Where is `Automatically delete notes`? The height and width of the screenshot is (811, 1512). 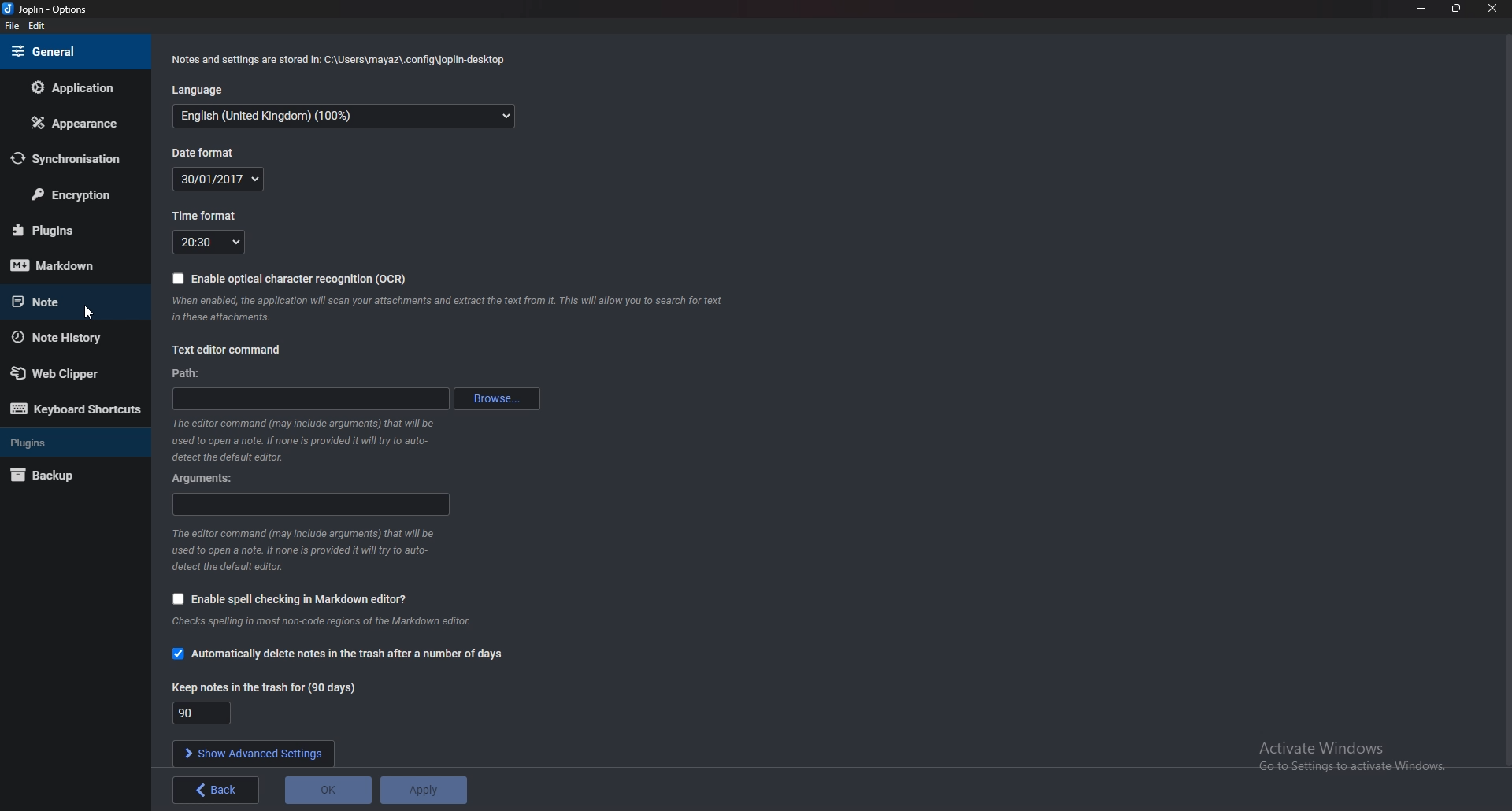
Automatically delete notes is located at coordinates (350, 654).